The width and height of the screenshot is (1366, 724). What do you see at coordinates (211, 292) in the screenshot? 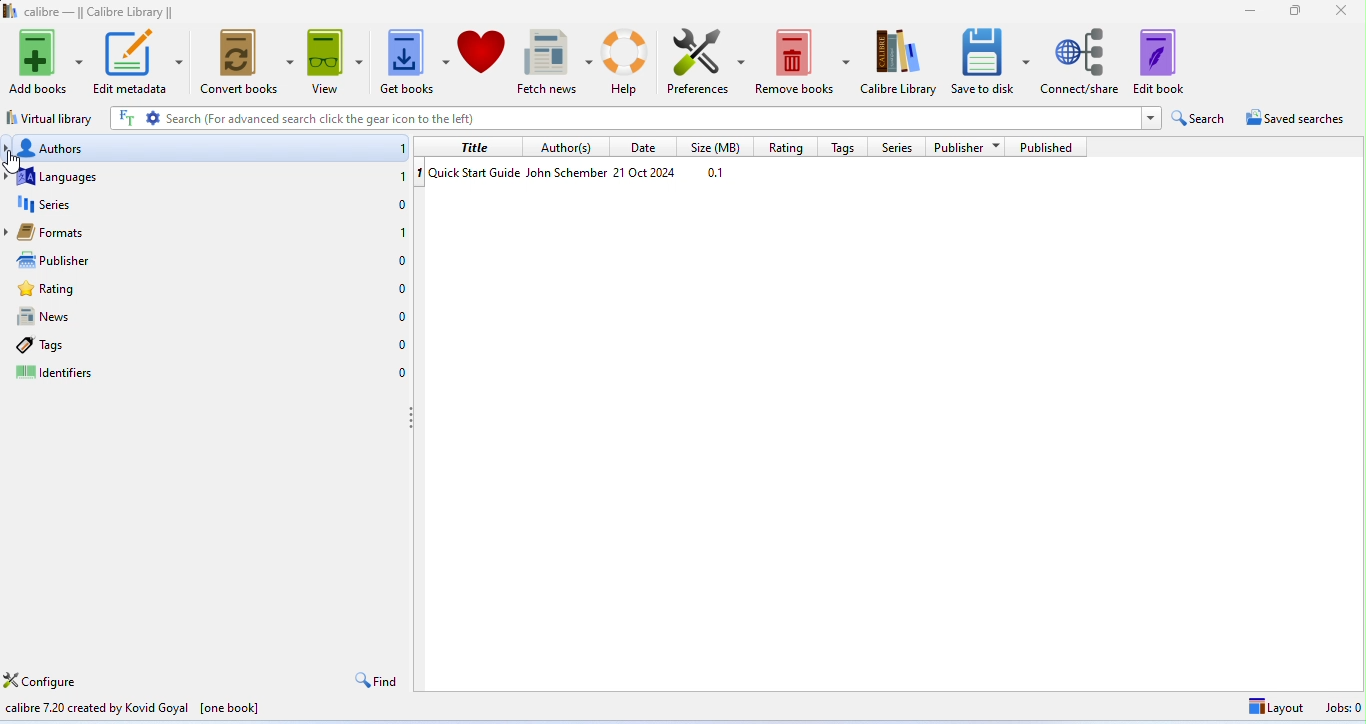
I see `rating` at bounding box center [211, 292].